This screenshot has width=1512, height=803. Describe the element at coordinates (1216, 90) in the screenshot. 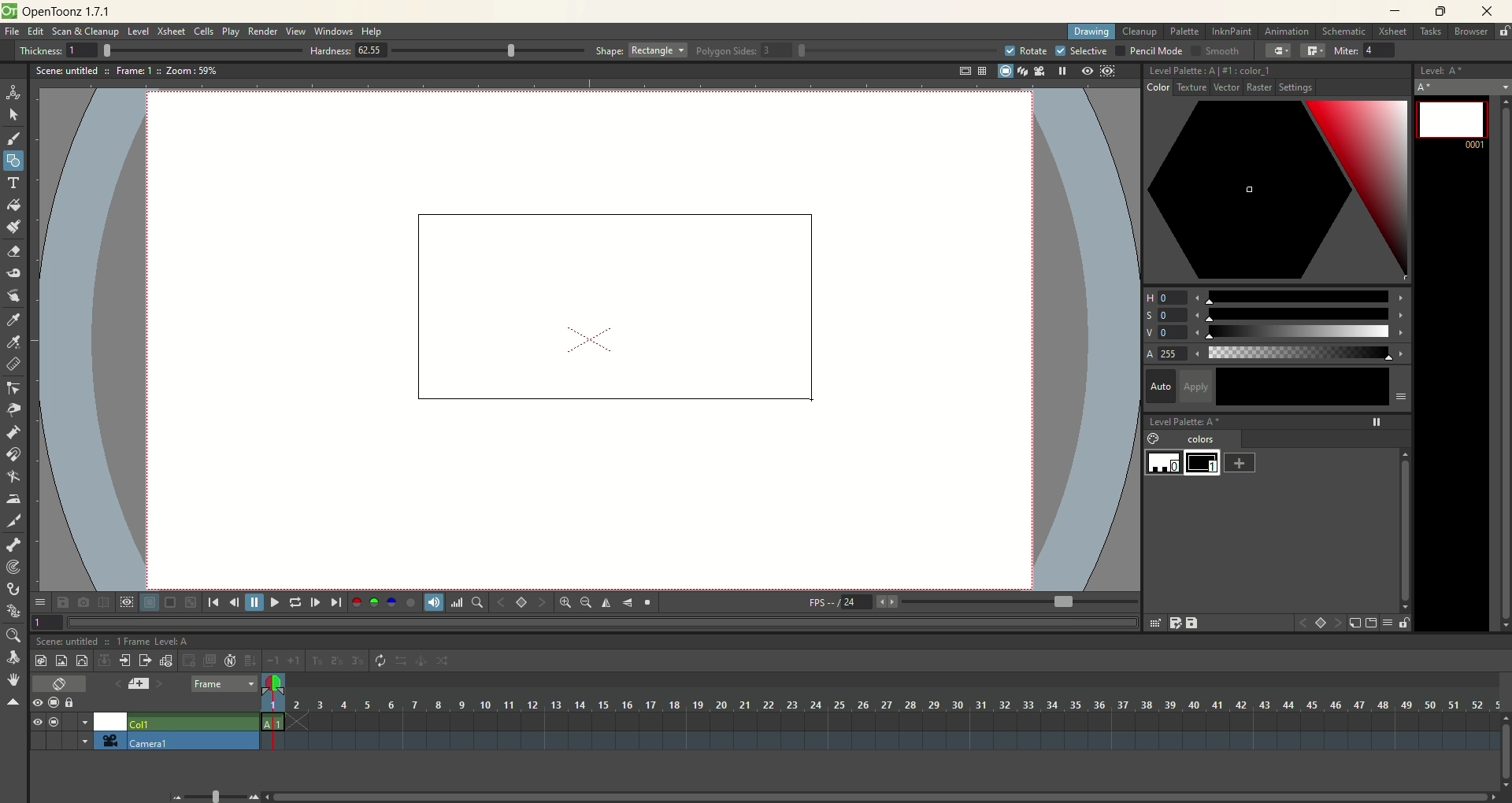

I see `settings` at that location.